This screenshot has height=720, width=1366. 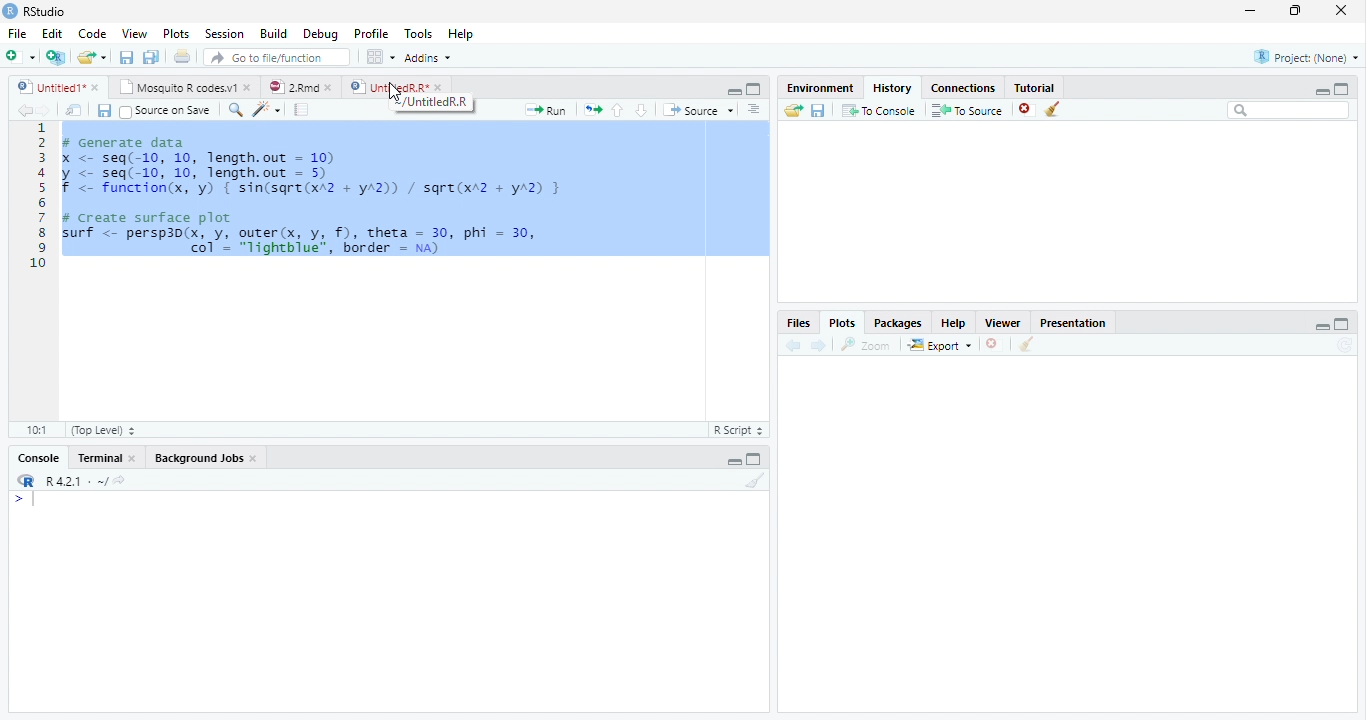 I want to click on Packages, so click(x=898, y=322).